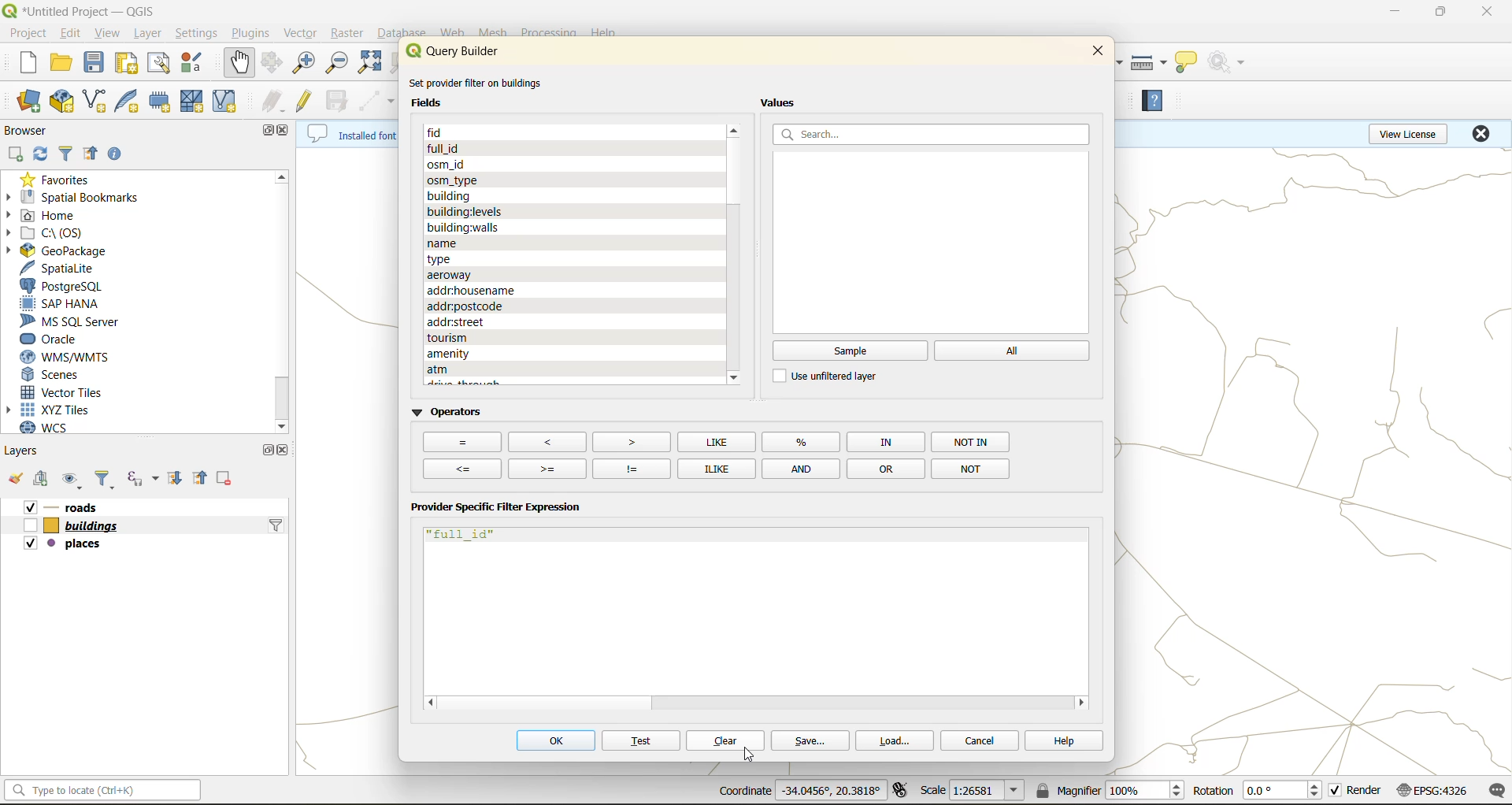  Describe the element at coordinates (72, 527) in the screenshot. I see `layers` at that location.